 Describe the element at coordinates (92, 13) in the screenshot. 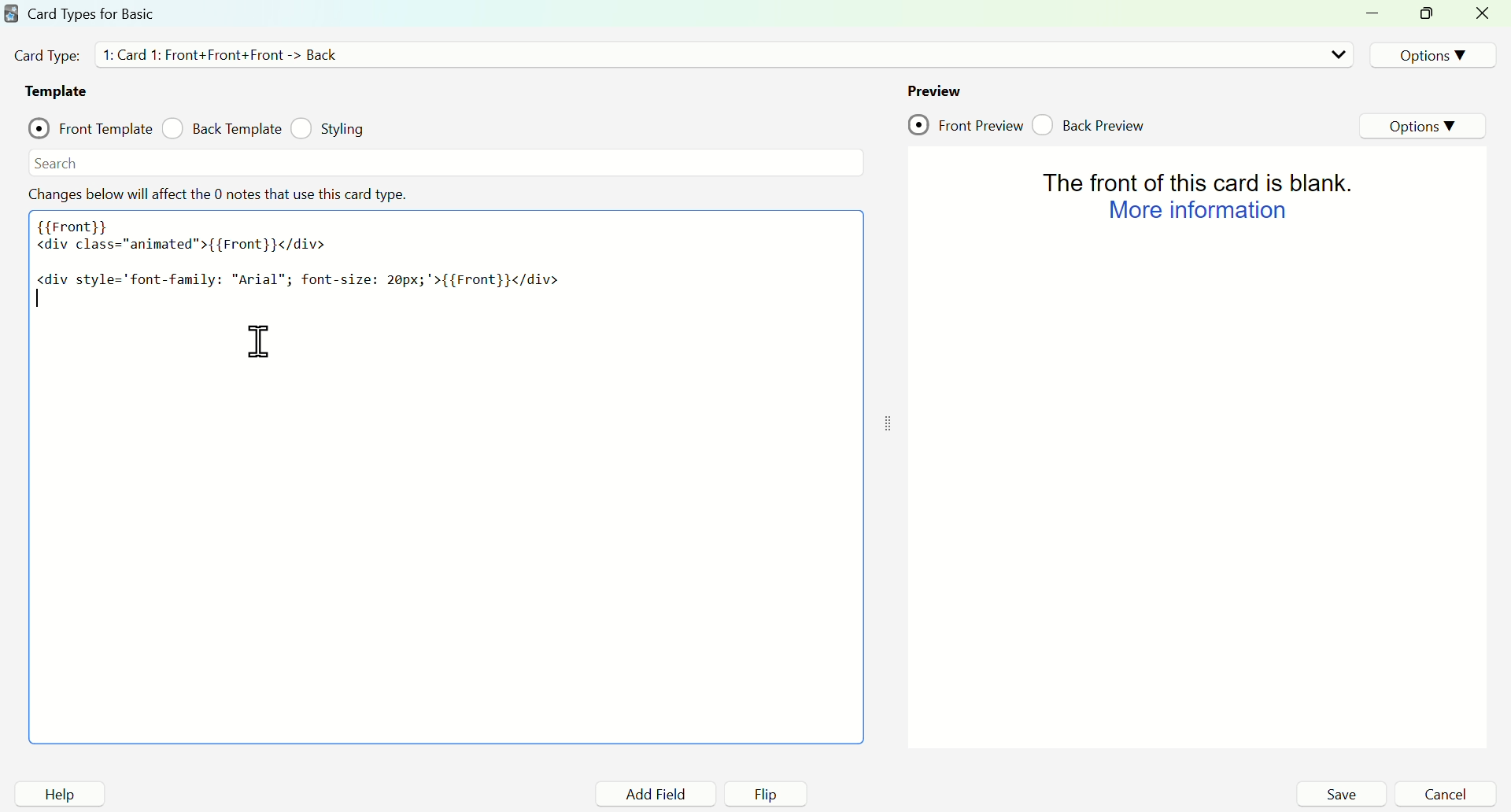

I see `Card Types for Basic` at that location.